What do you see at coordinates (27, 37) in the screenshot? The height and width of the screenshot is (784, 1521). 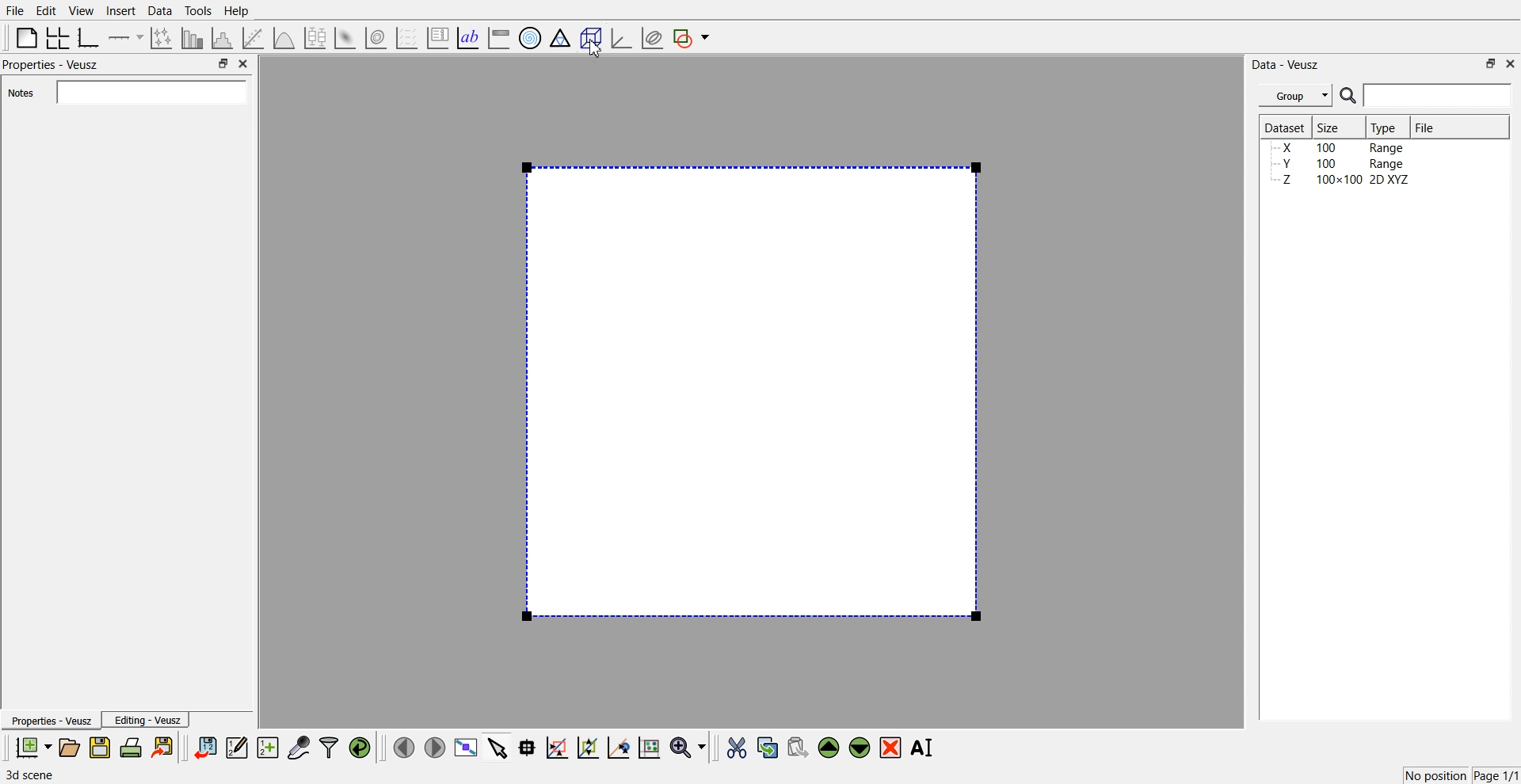 I see `Blank page` at bounding box center [27, 37].